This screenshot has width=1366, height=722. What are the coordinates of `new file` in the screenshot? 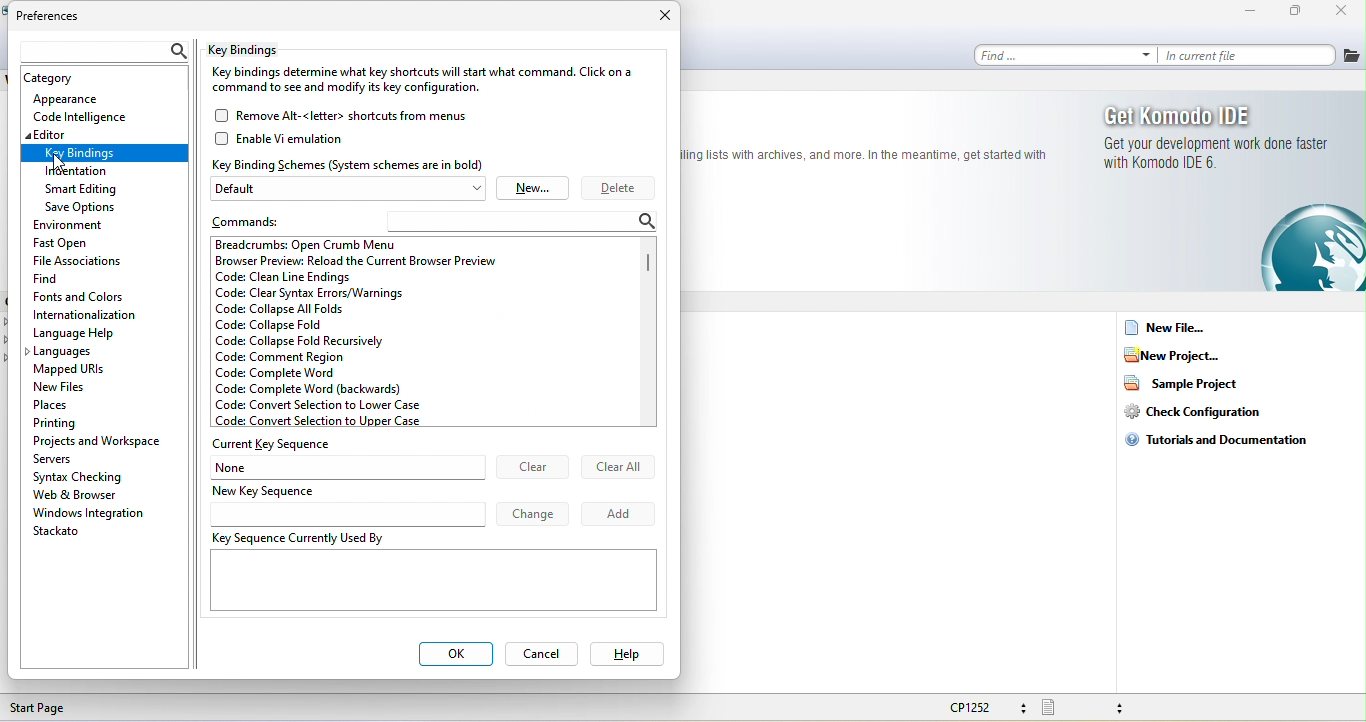 It's located at (1168, 328).